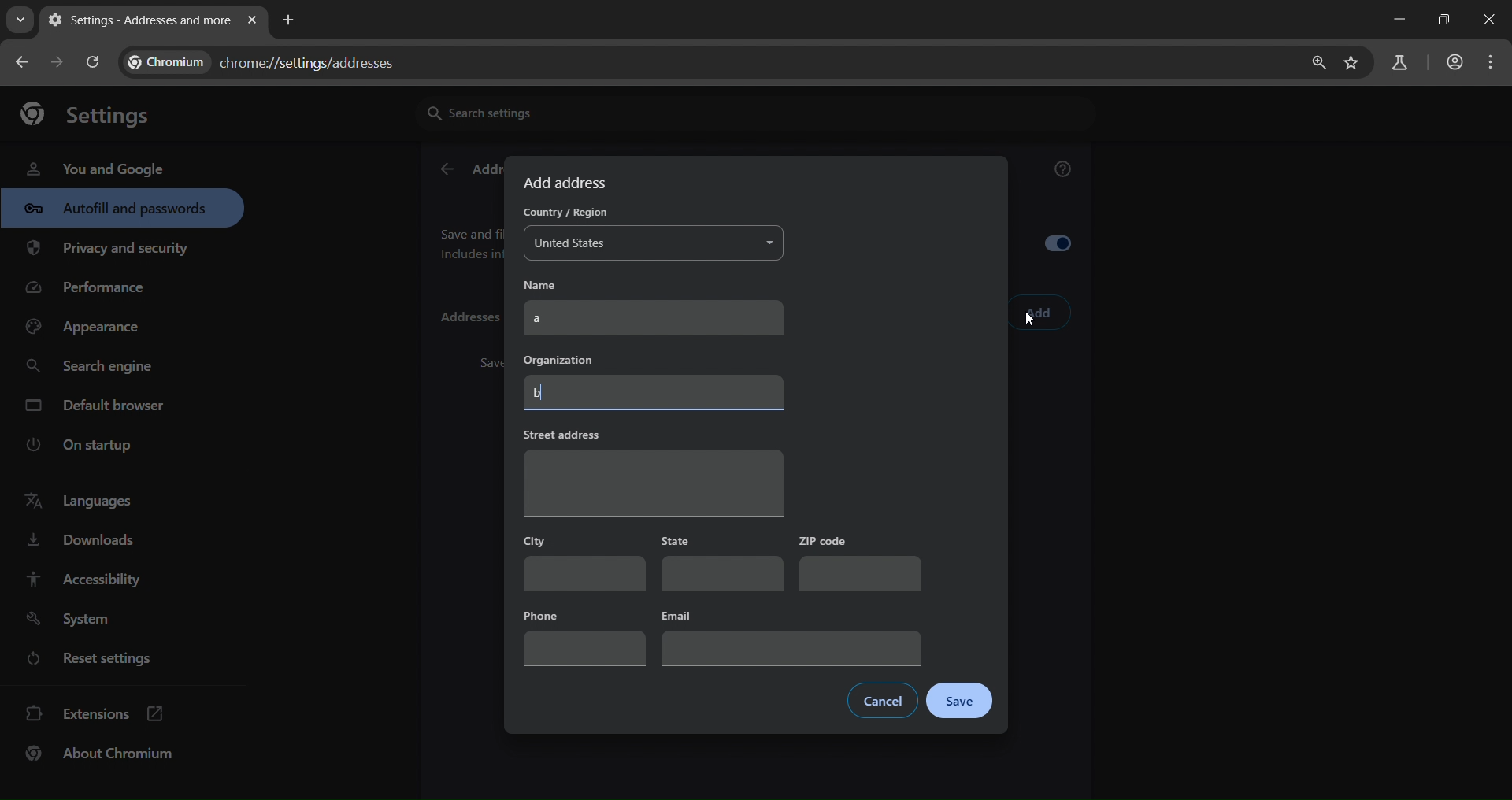  Describe the element at coordinates (72, 620) in the screenshot. I see `system` at that location.